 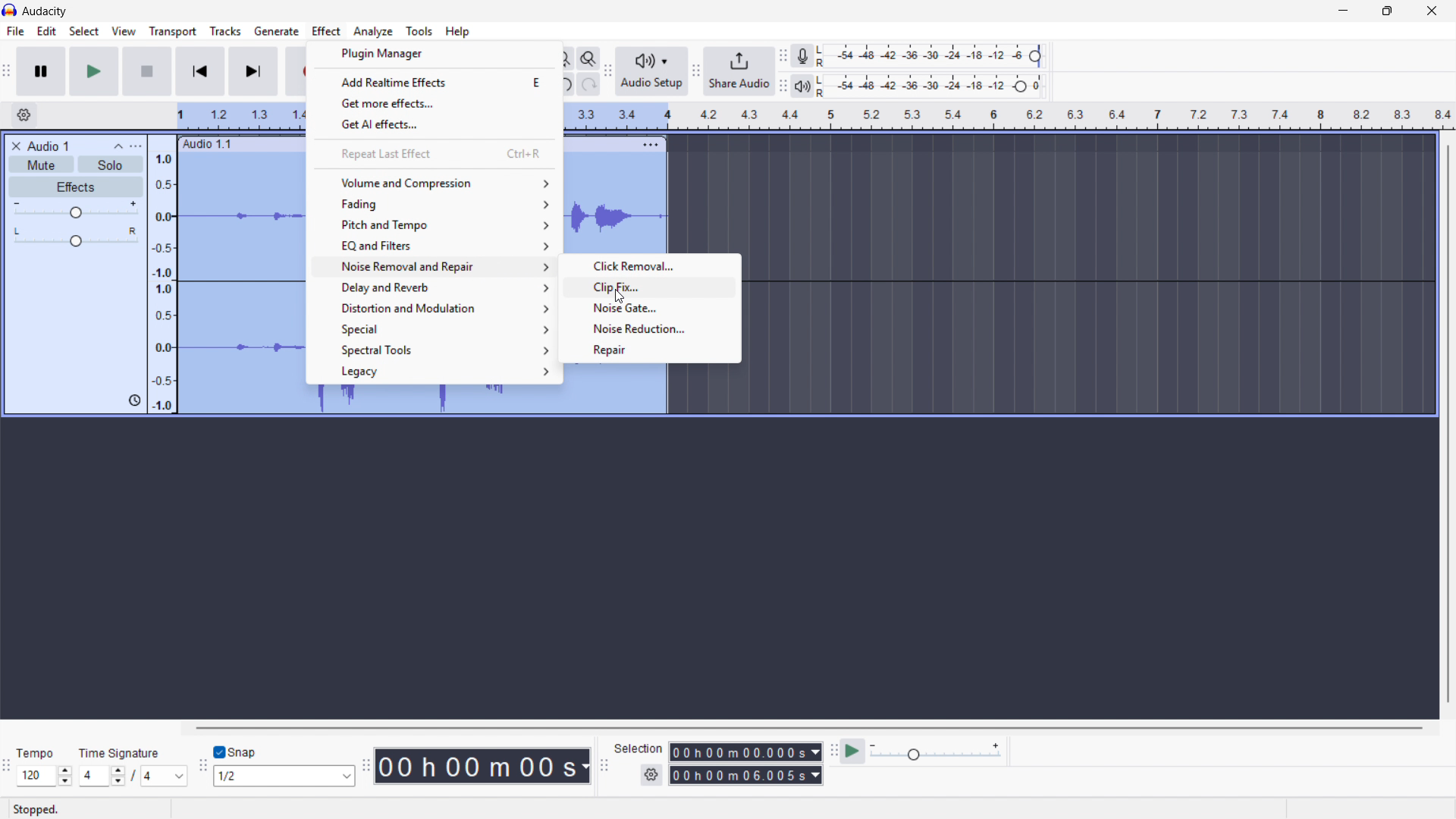 I want to click on Time signature toolbar, so click(x=8, y=768).